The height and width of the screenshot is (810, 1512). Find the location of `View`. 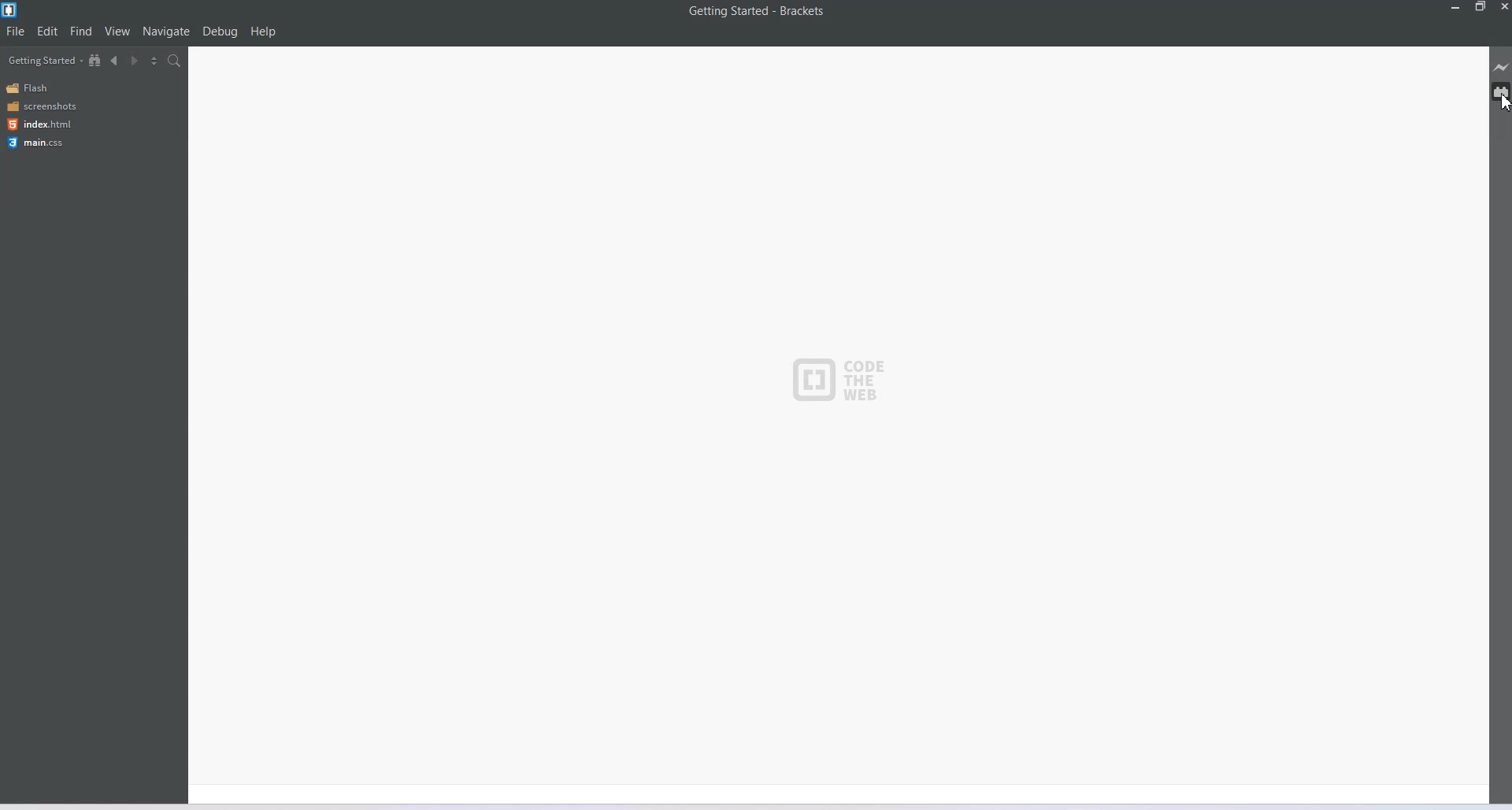

View is located at coordinates (117, 30).